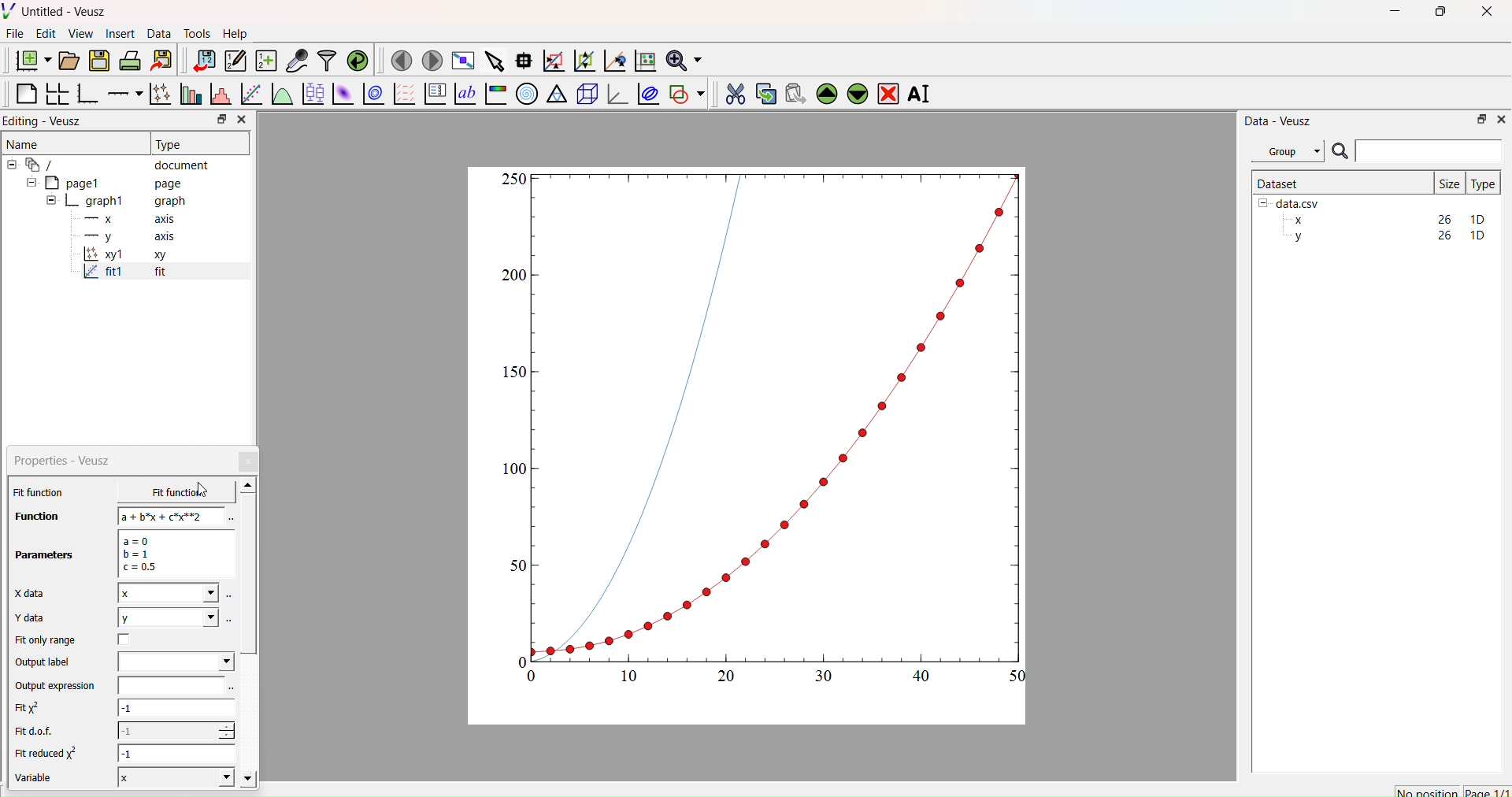  I want to click on Select items, so click(493, 61).